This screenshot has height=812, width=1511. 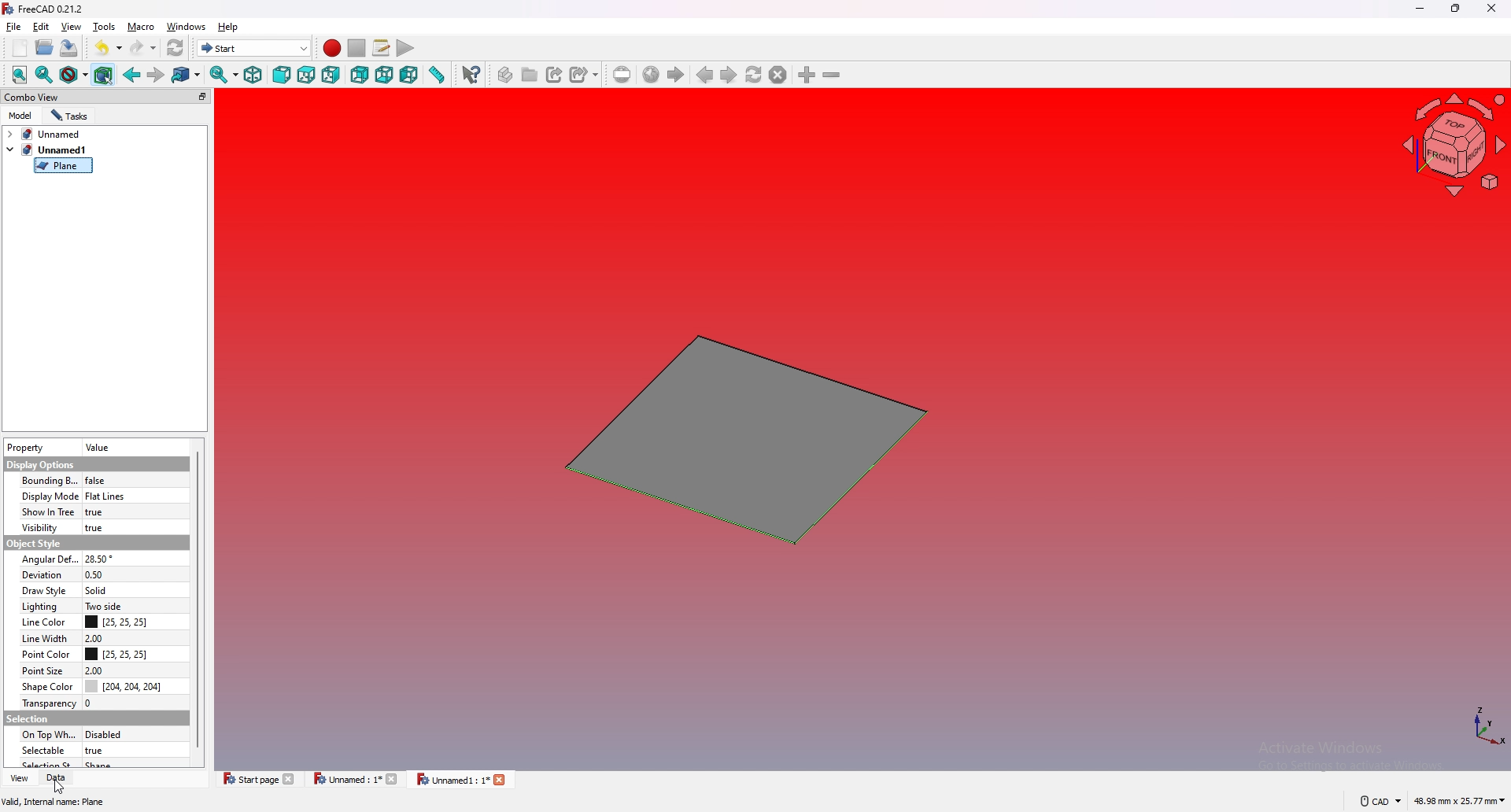 What do you see at coordinates (224, 74) in the screenshot?
I see `sync view` at bounding box center [224, 74].